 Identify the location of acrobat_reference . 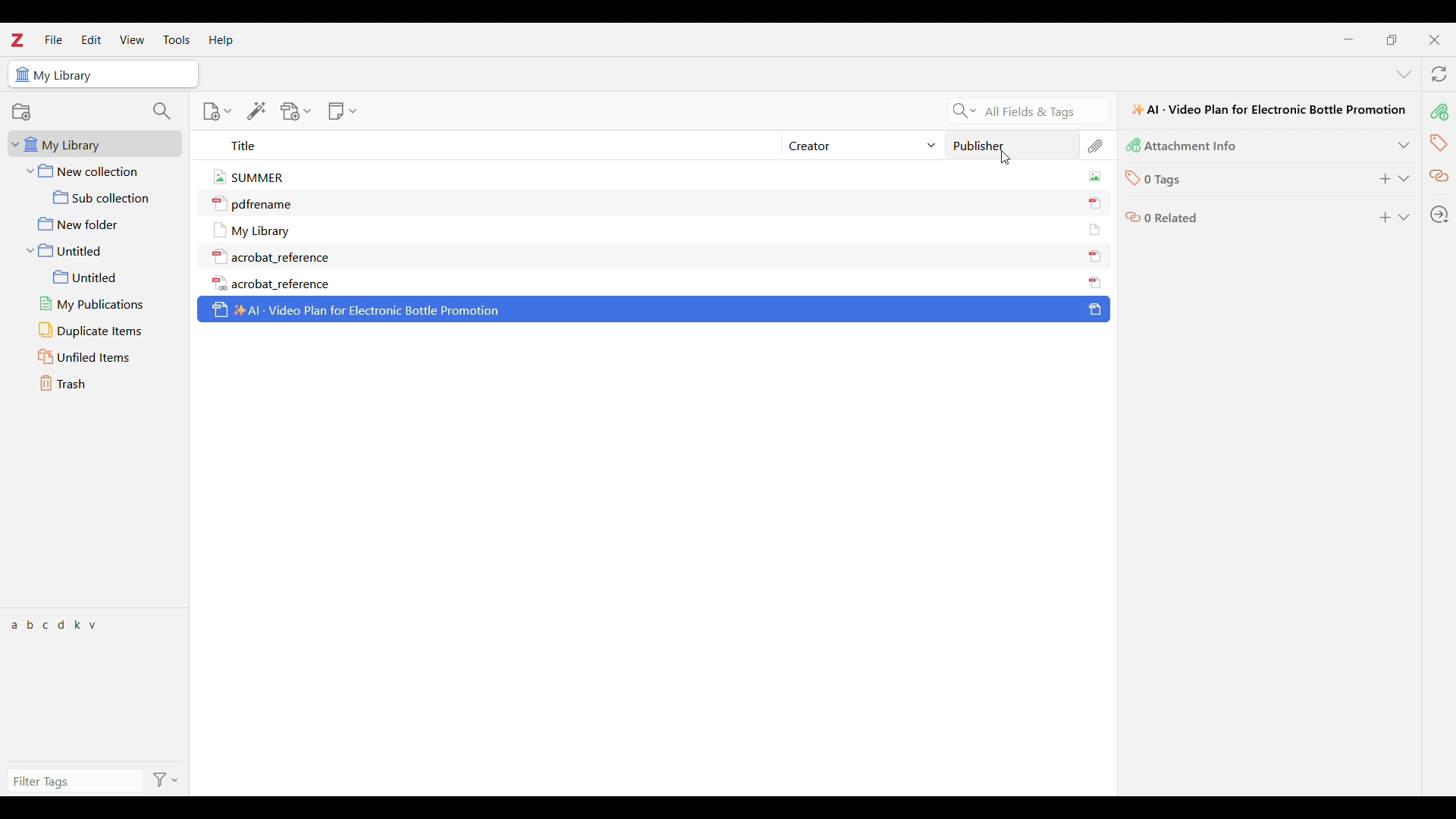
(275, 259).